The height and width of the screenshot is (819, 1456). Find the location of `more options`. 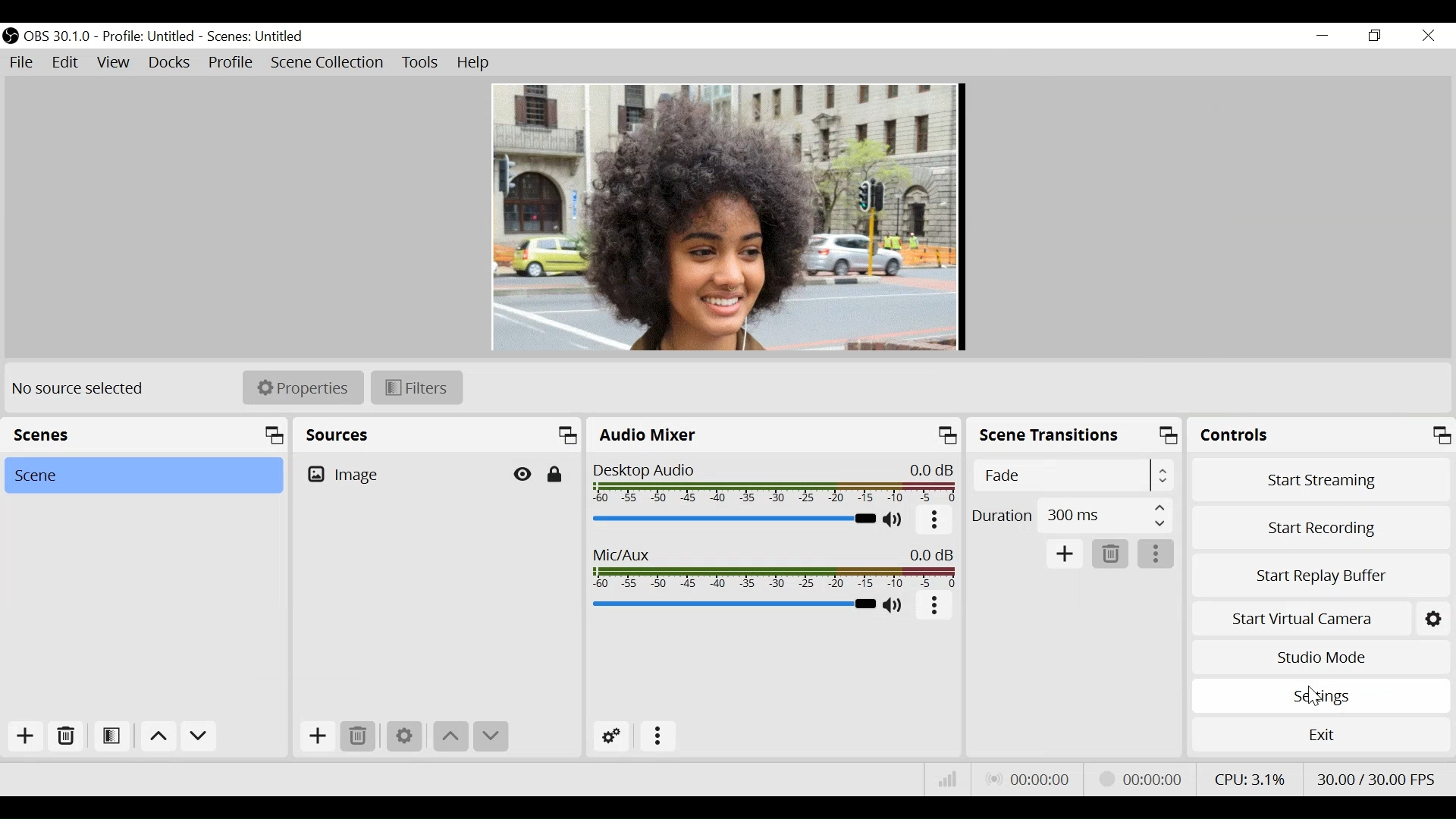

more options is located at coordinates (937, 519).